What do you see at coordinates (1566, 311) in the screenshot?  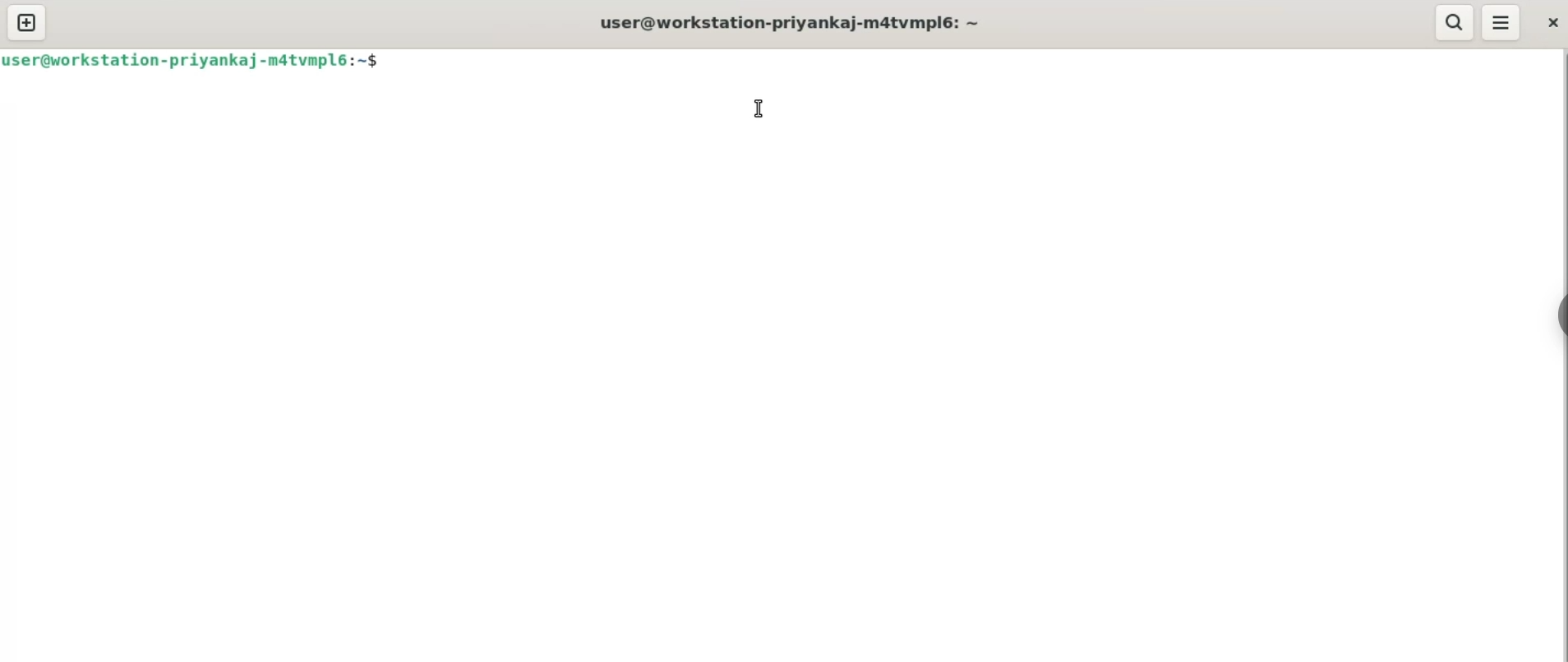 I see `sidebar` at bounding box center [1566, 311].